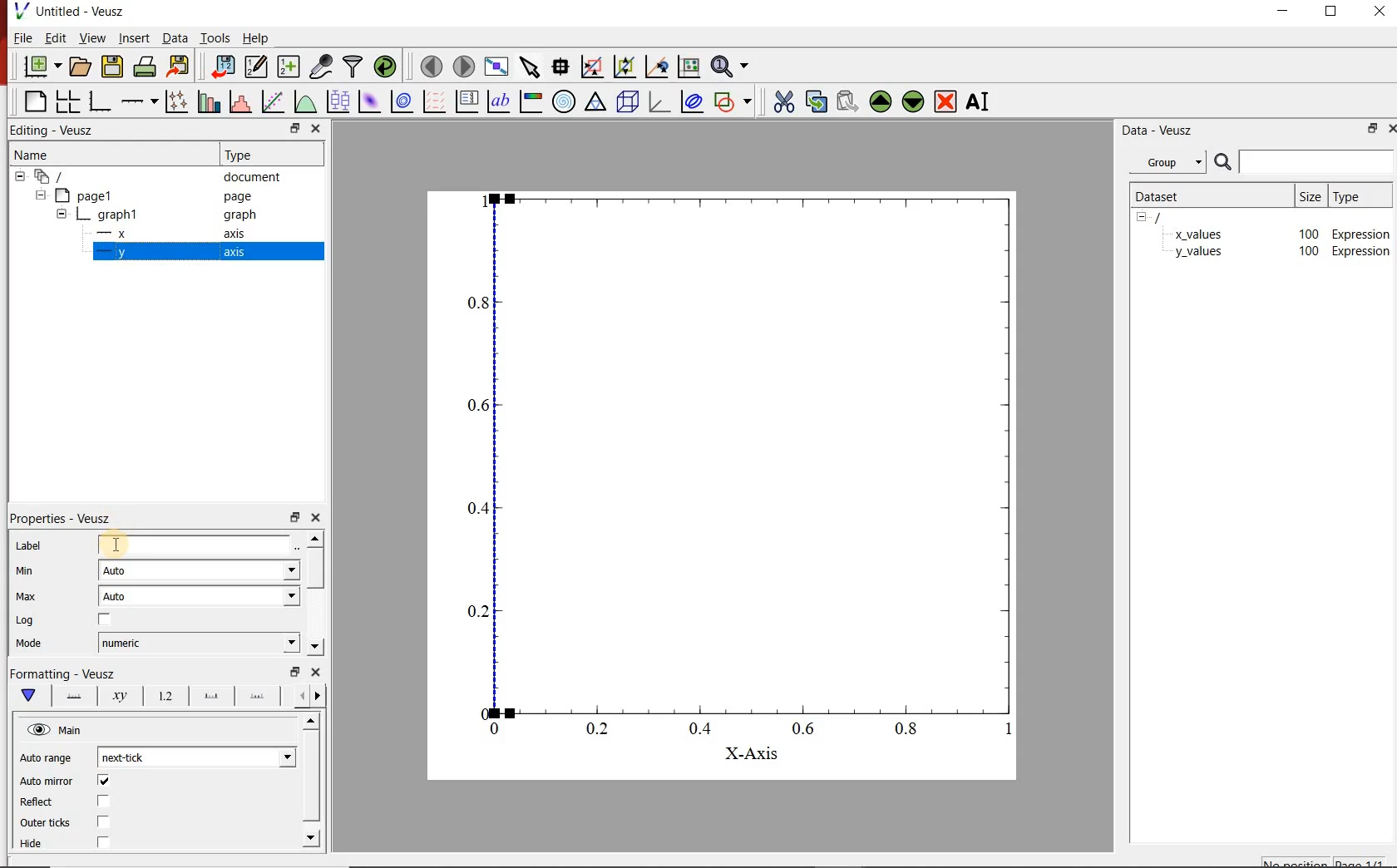 Image resolution: width=1397 pixels, height=868 pixels. Describe the element at coordinates (236, 195) in the screenshot. I see `page` at that location.